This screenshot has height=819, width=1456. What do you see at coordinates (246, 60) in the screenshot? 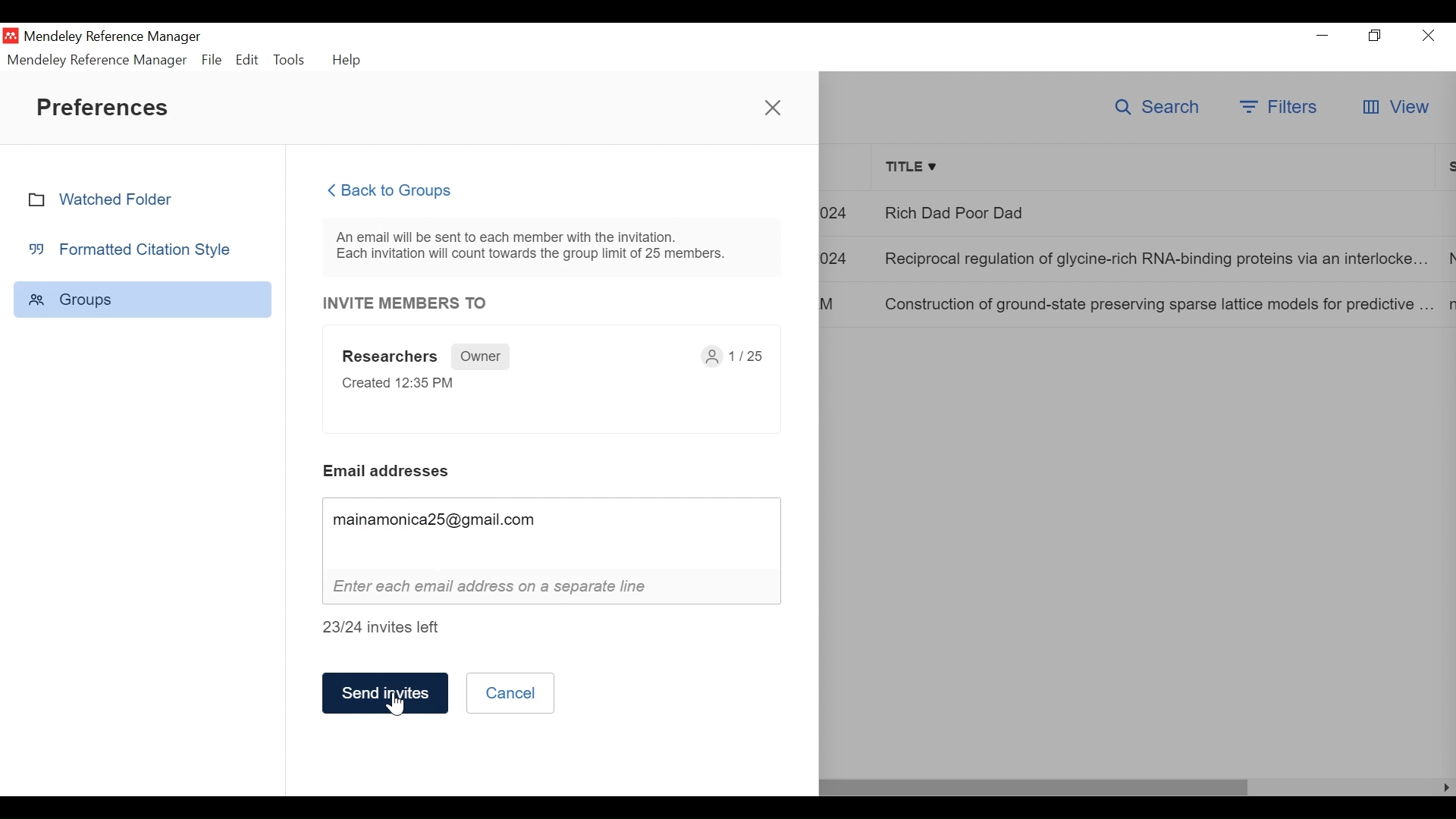
I see `Edit` at bounding box center [246, 60].